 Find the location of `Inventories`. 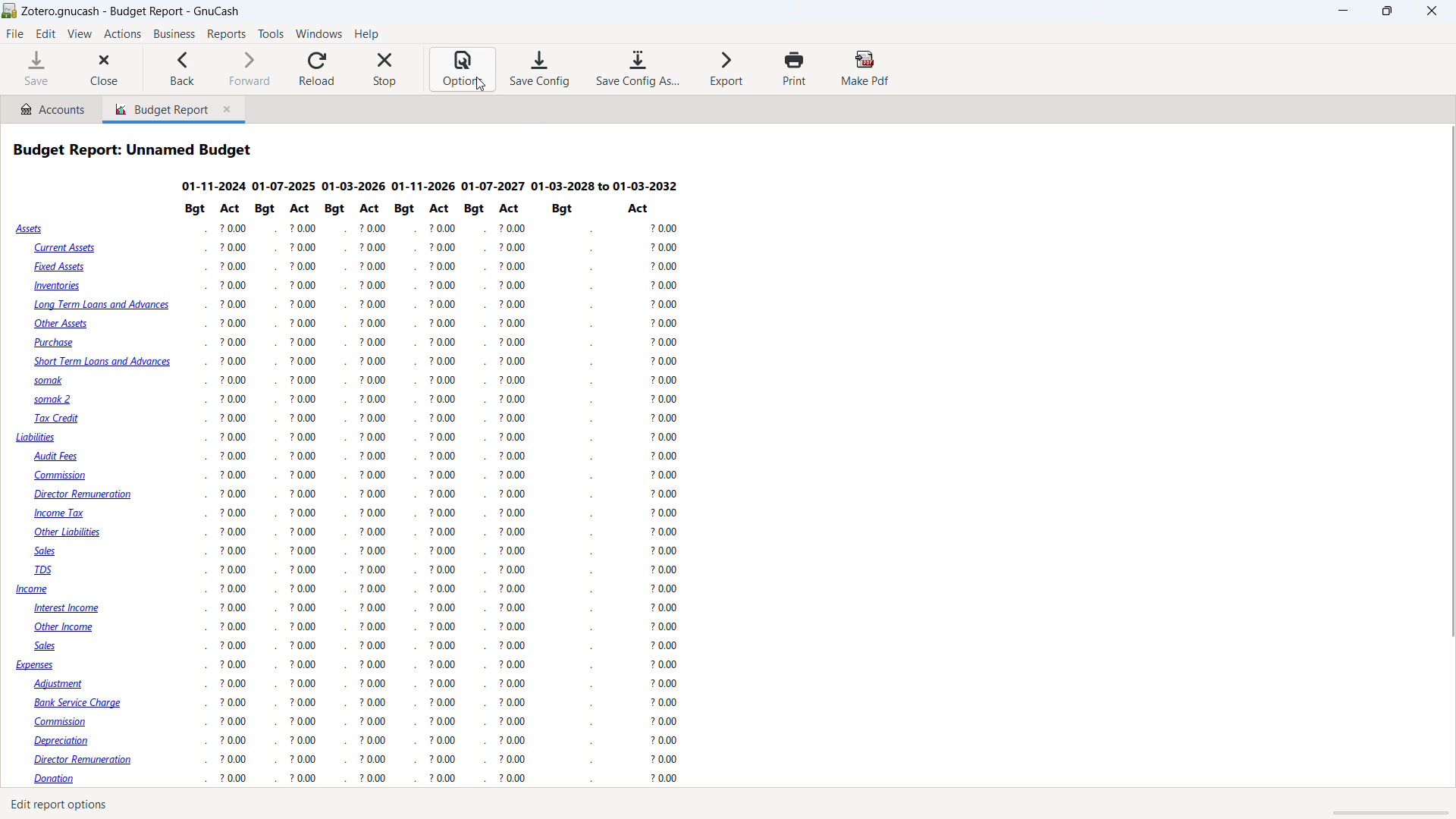

Inventories is located at coordinates (61, 287).